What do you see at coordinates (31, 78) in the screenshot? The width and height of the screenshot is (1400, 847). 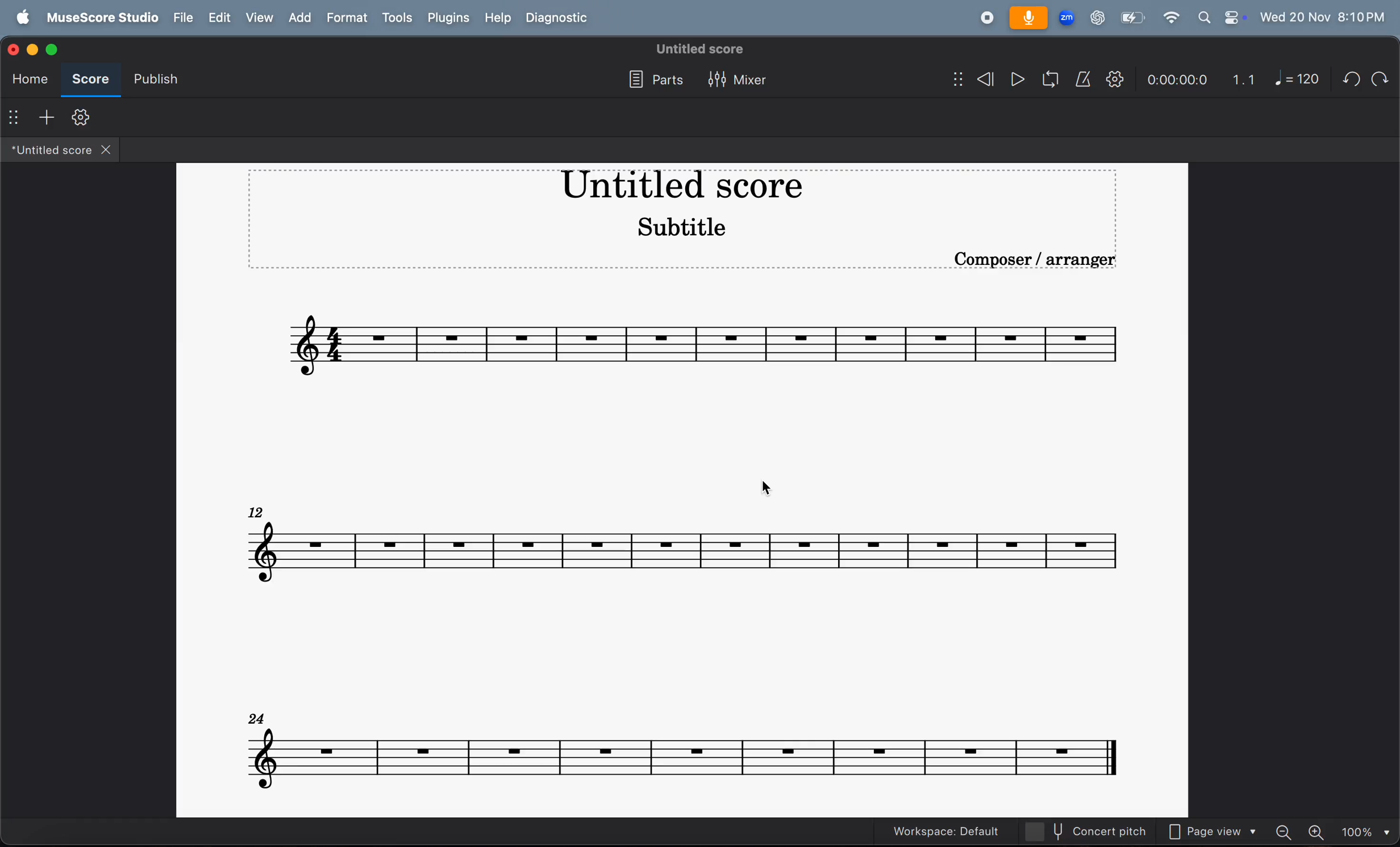 I see `home` at bounding box center [31, 78].